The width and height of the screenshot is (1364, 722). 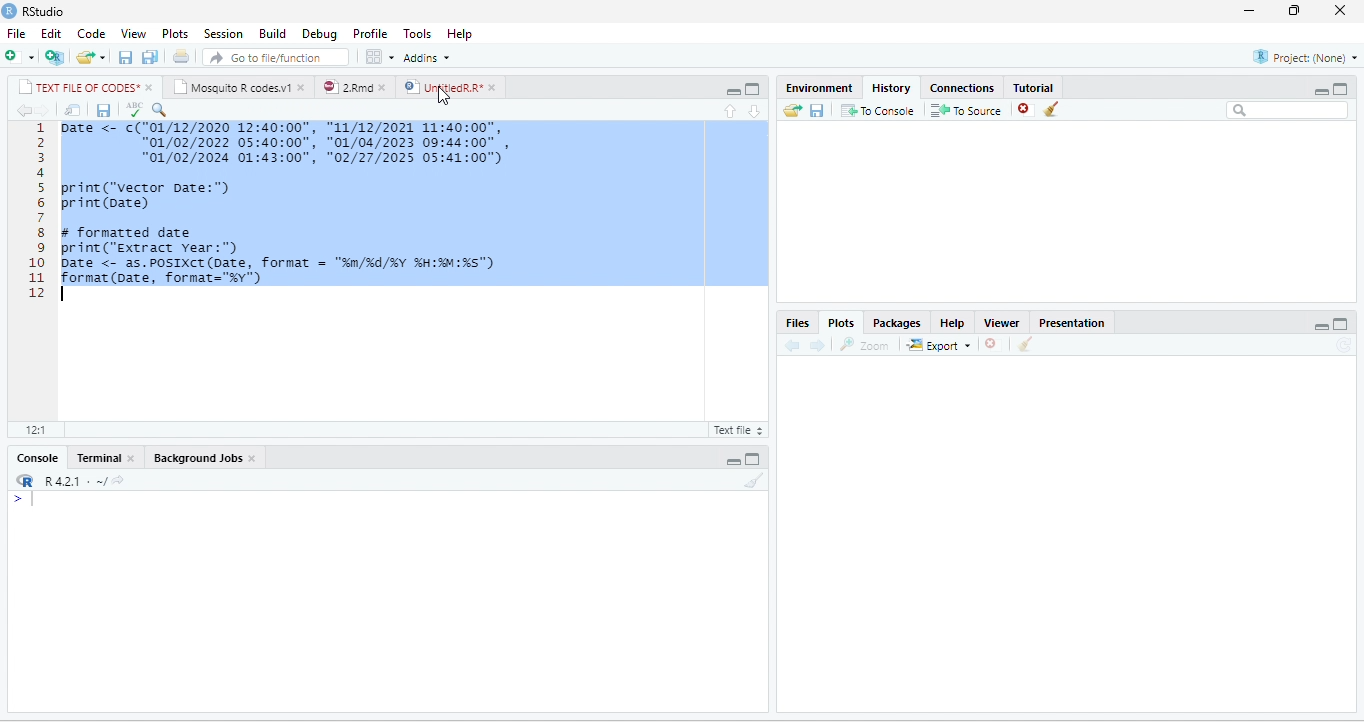 What do you see at coordinates (371, 35) in the screenshot?
I see `Profile` at bounding box center [371, 35].